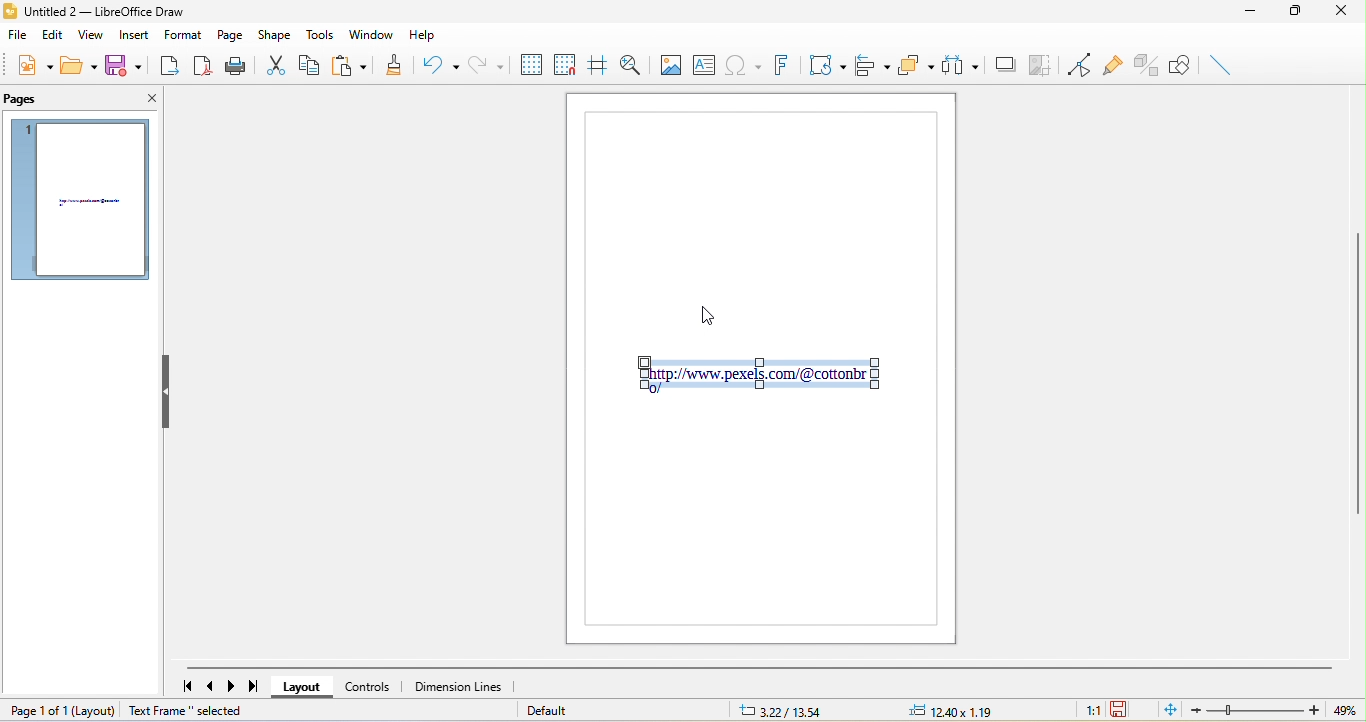 This screenshot has height=722, width=1366. I want to click on format, so click(185, 35).